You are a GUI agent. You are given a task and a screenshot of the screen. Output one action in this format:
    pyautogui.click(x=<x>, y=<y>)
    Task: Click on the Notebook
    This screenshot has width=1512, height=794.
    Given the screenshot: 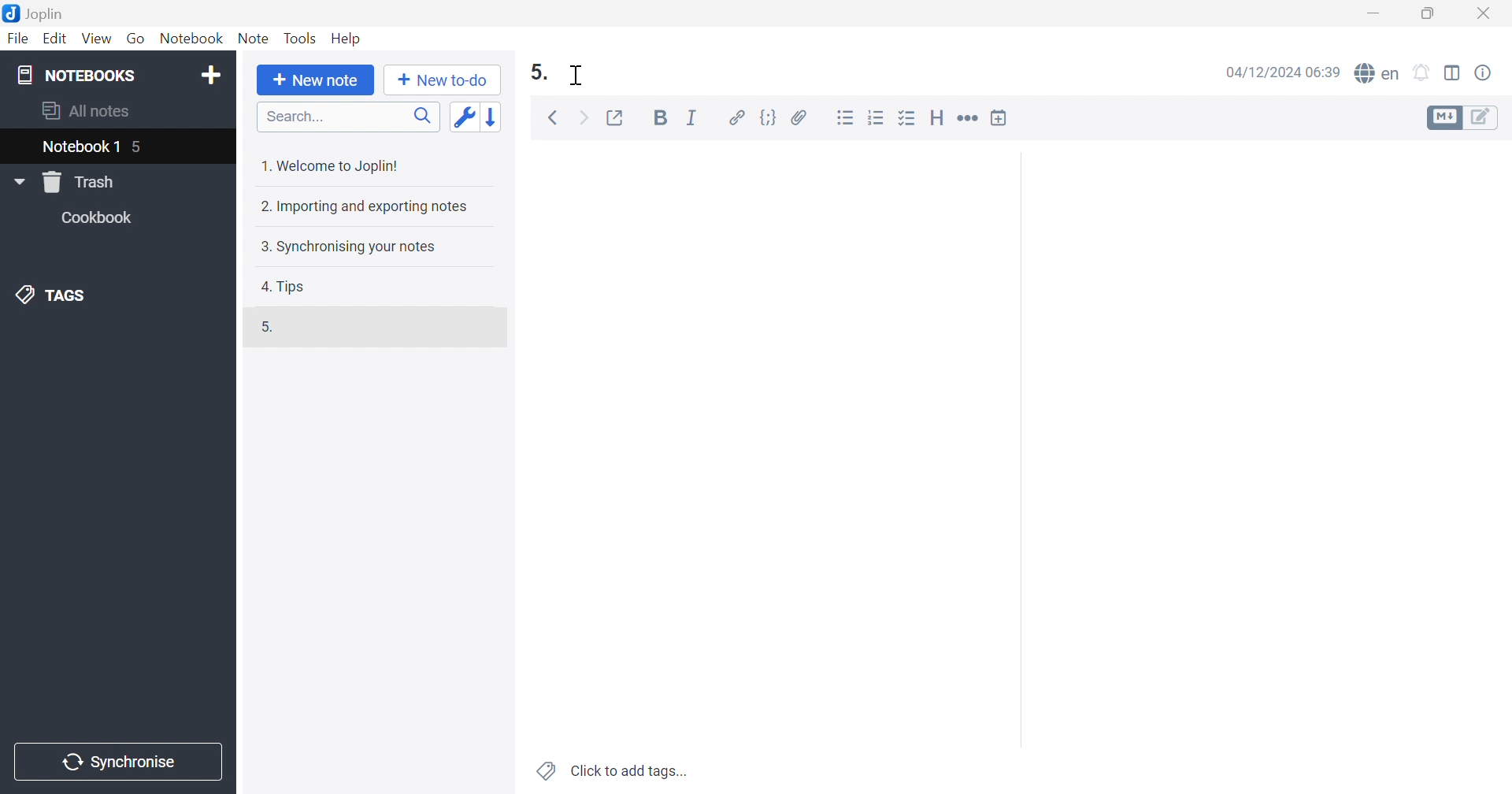 What is the action you would take?
    pyautogui.click(x=190, y=38)
    